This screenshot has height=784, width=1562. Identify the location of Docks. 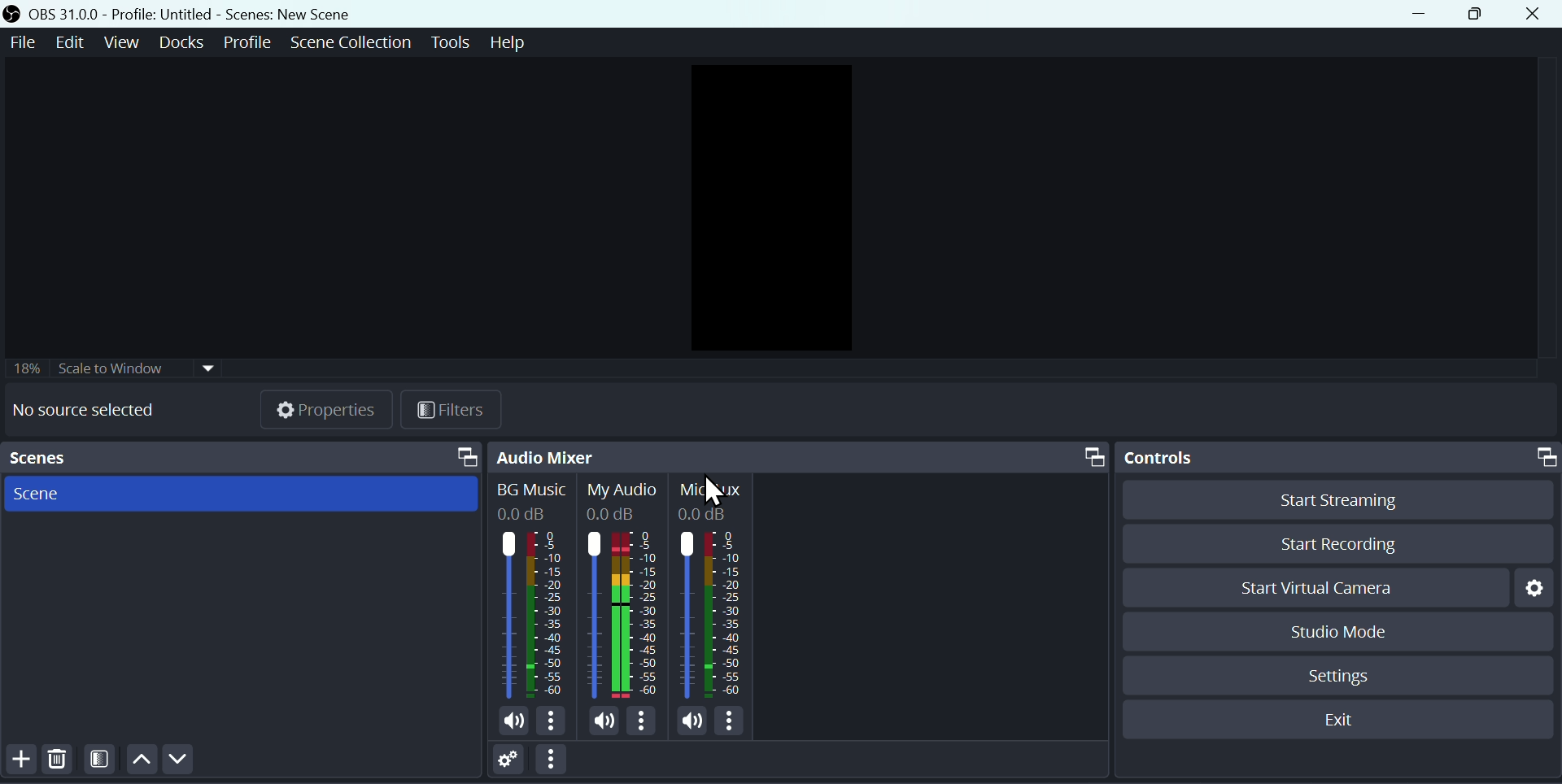
(179, 41).